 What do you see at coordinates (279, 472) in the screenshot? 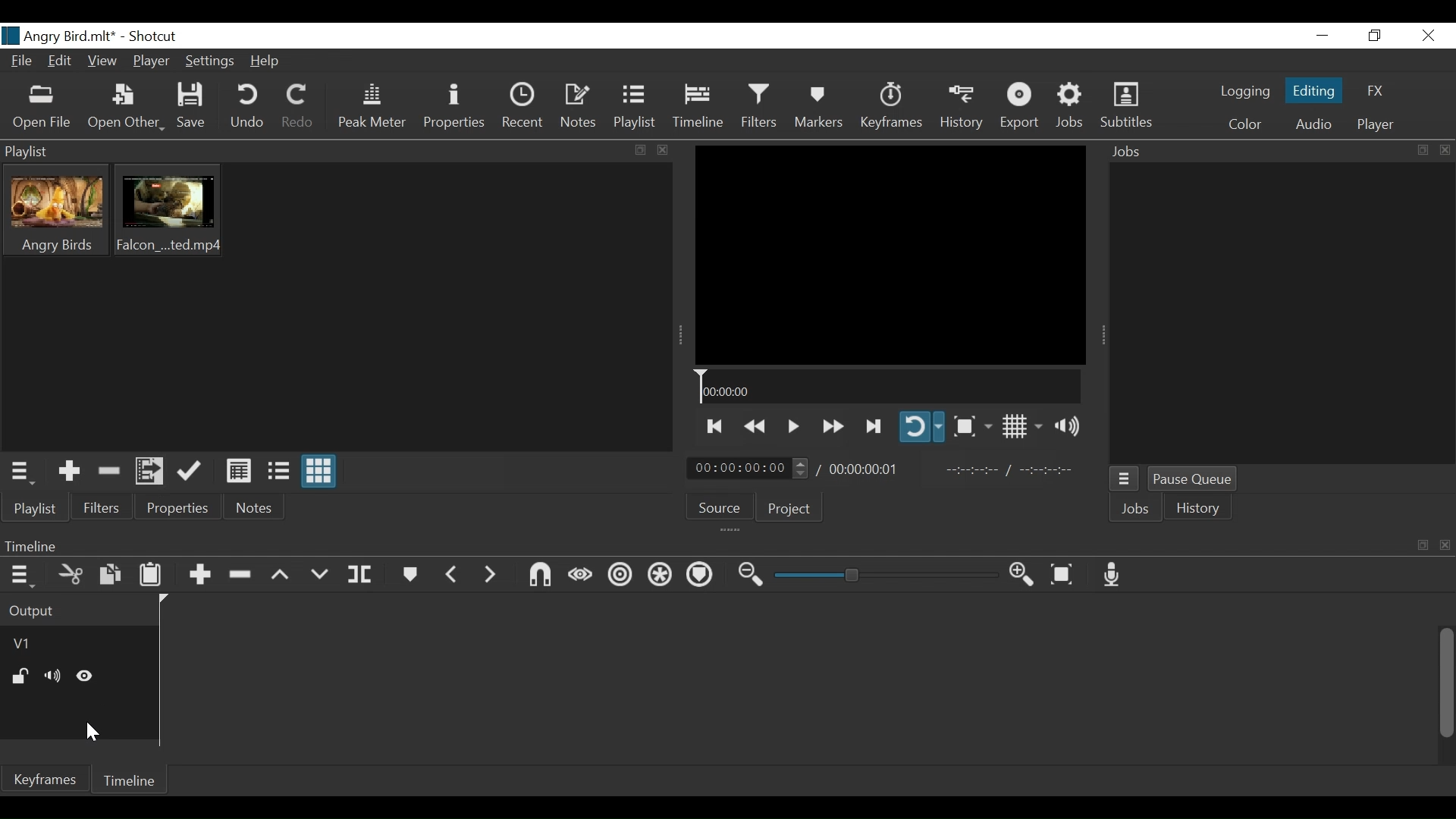
I see `View as files` at bounding box center [279, 472].